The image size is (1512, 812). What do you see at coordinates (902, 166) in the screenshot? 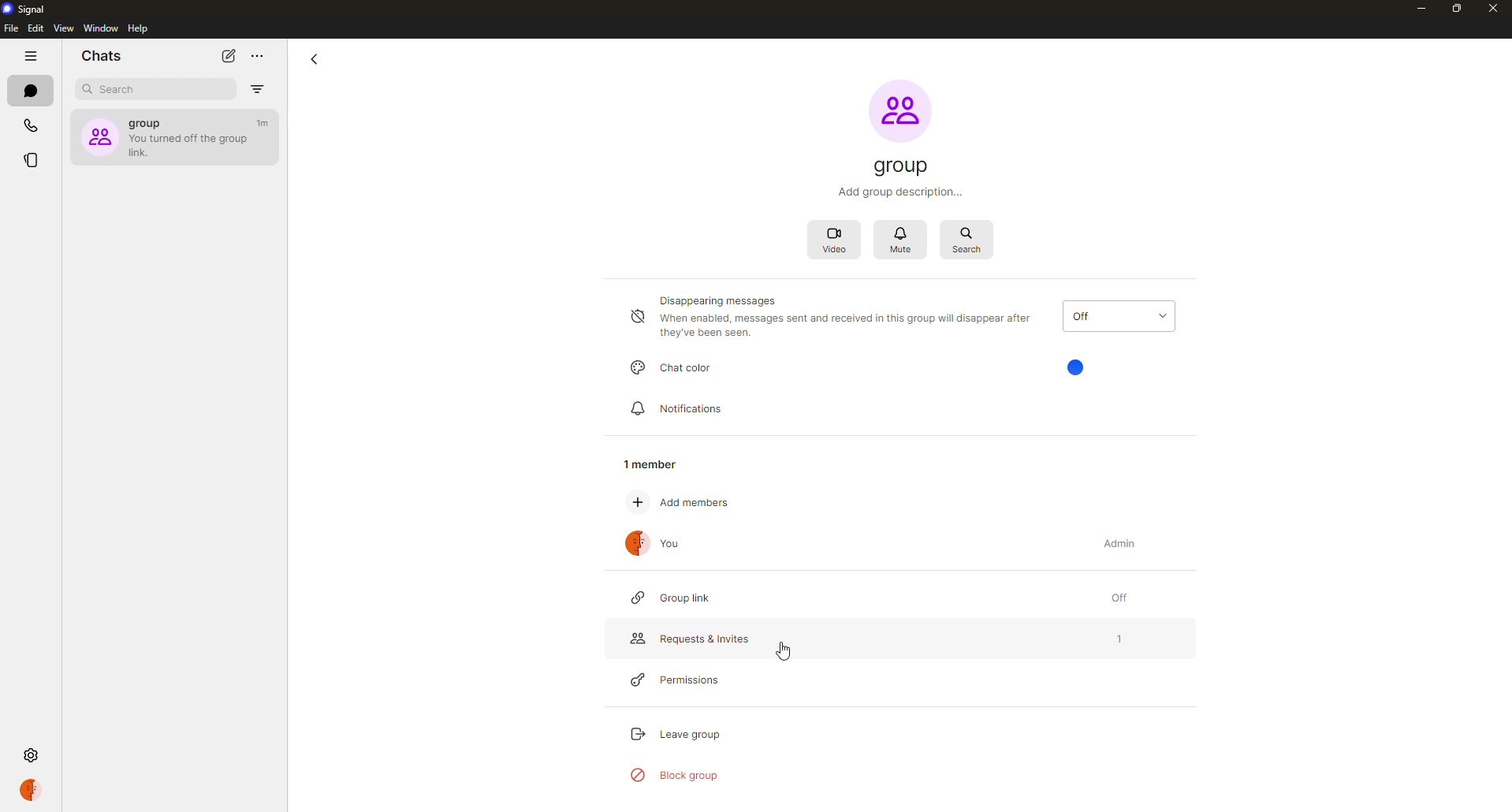
I see `group` at bounding box center [902, 166].